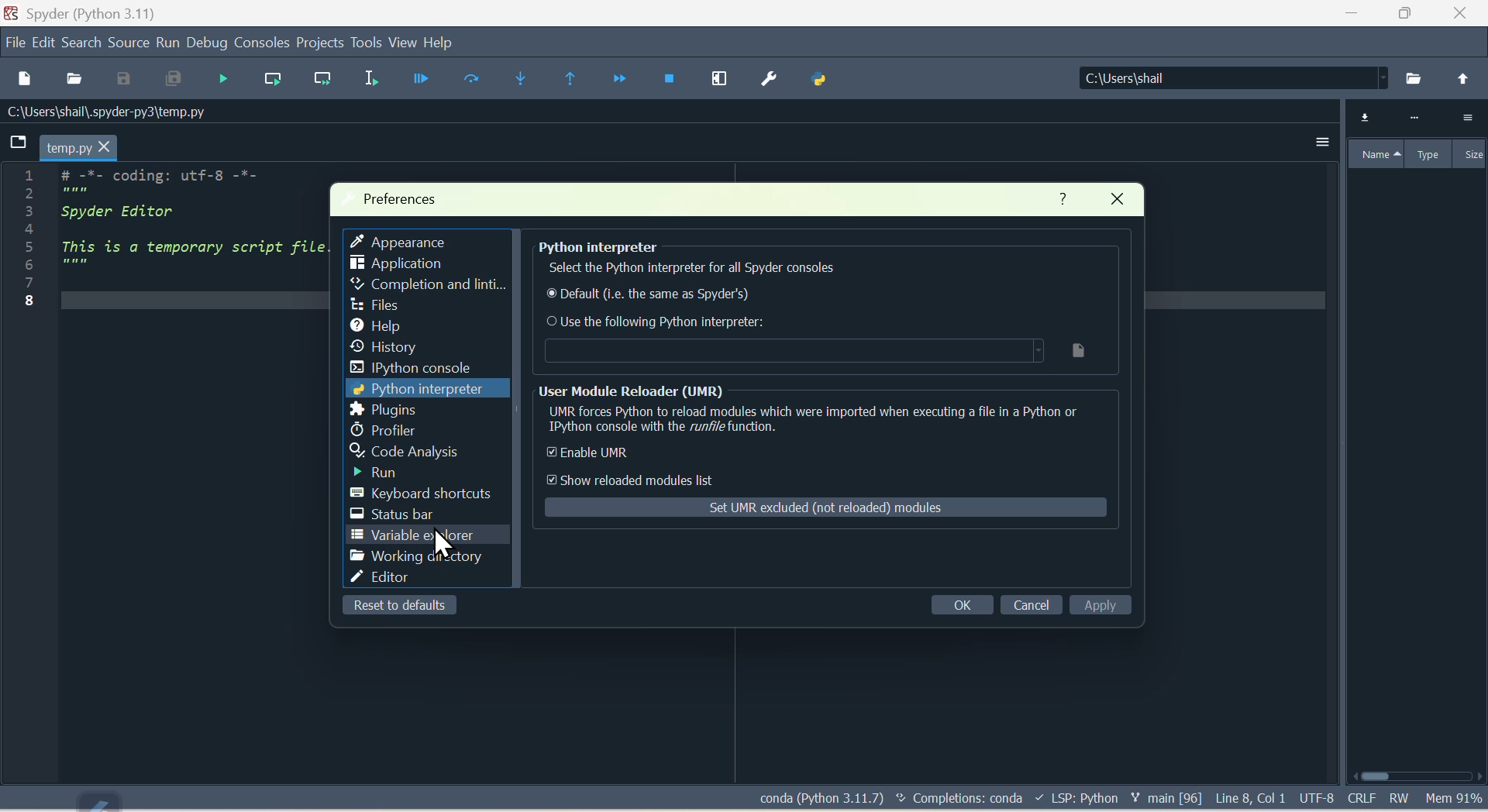 This screenshot has width=1488, height=812. I want to click on Status bar, so click(386, 515).